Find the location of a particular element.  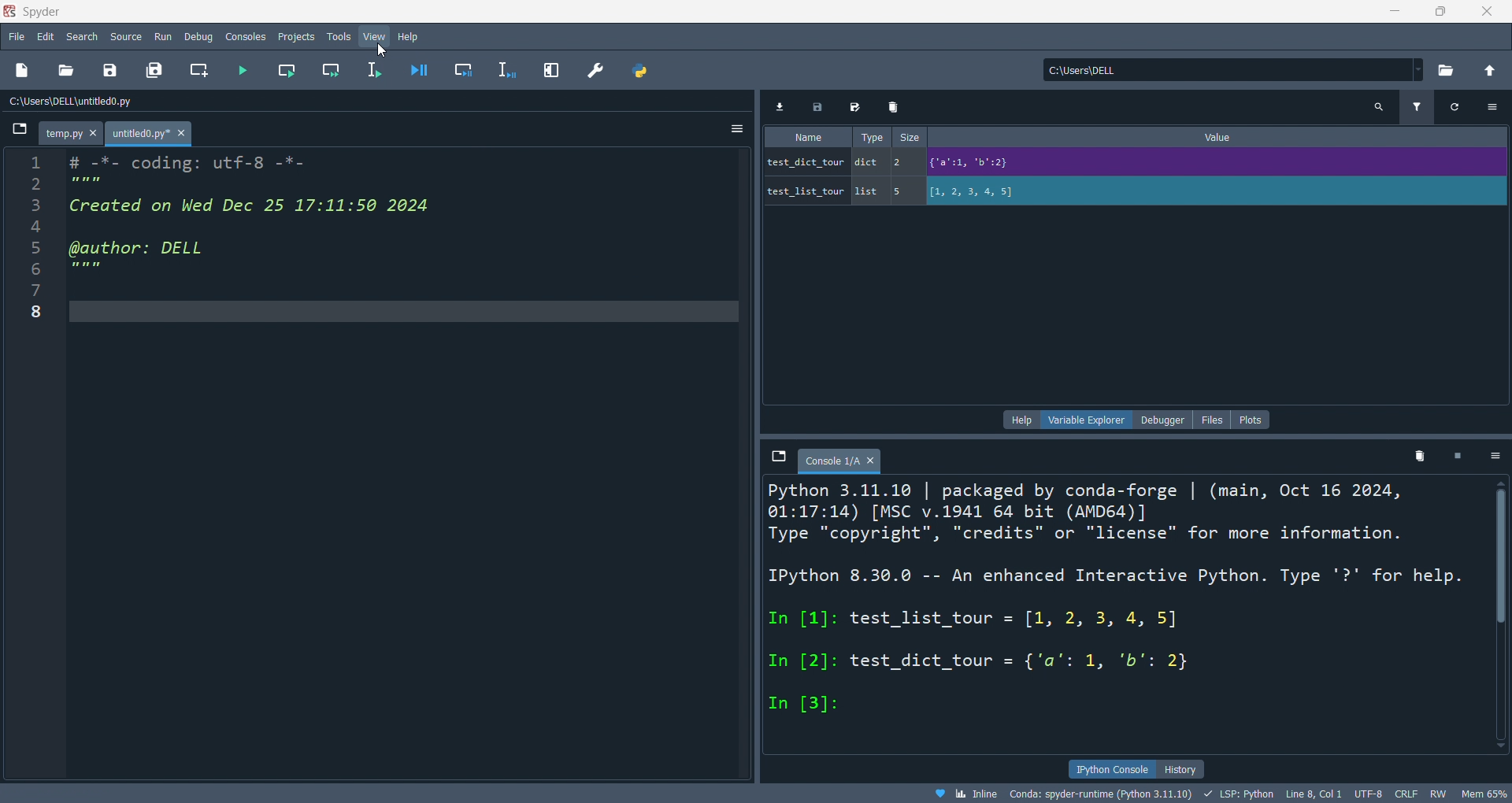

Inline Conda: spyder-runtime (Python 3.11.10) LSP: Python Line 8, Col 1 UTF-8 CRLF RW Mem 65% is located at coordinates (1210, 794).